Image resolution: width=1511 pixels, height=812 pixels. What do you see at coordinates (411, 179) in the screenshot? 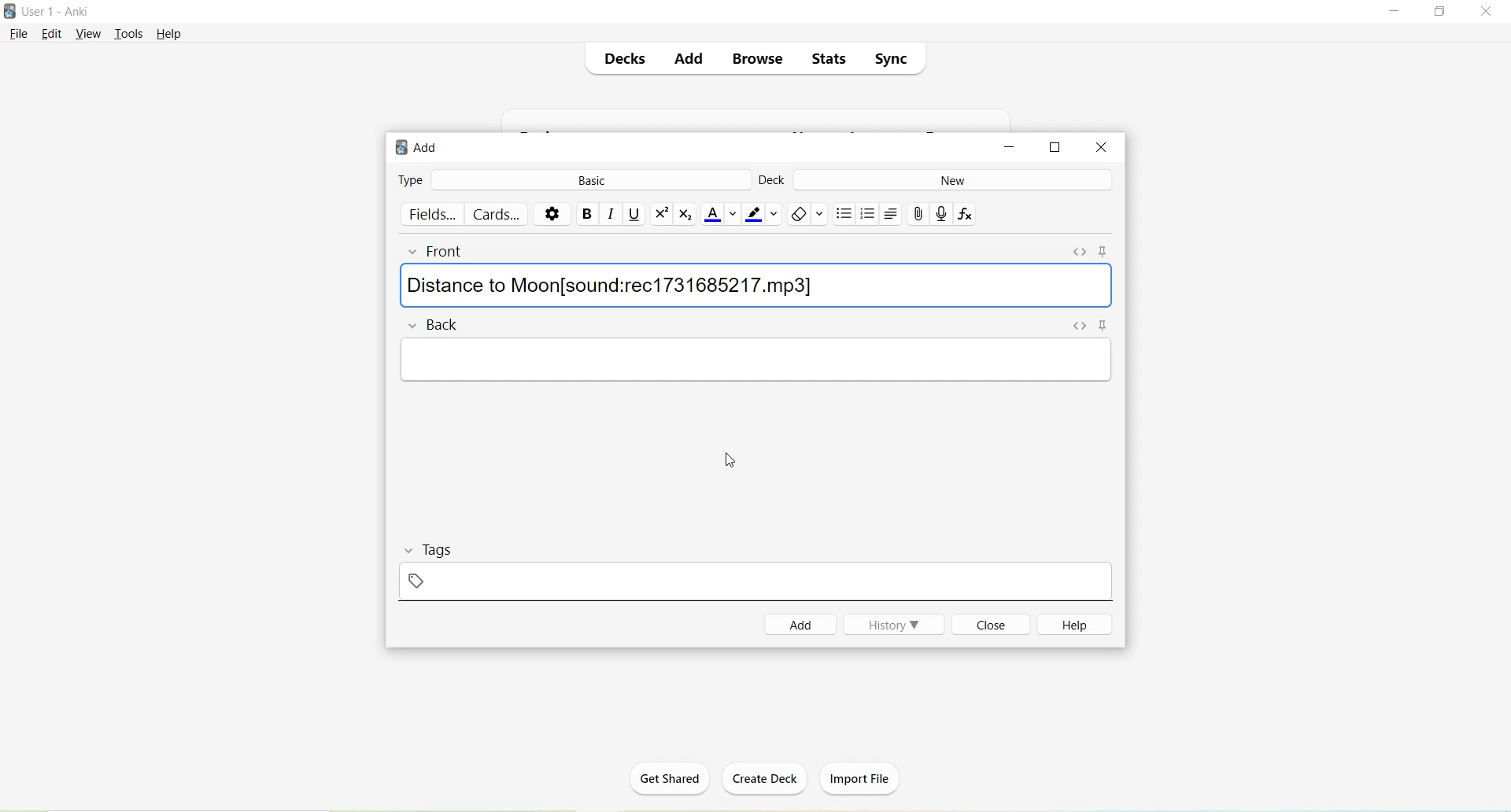
I see `Type` at bounding box center [411, 179].